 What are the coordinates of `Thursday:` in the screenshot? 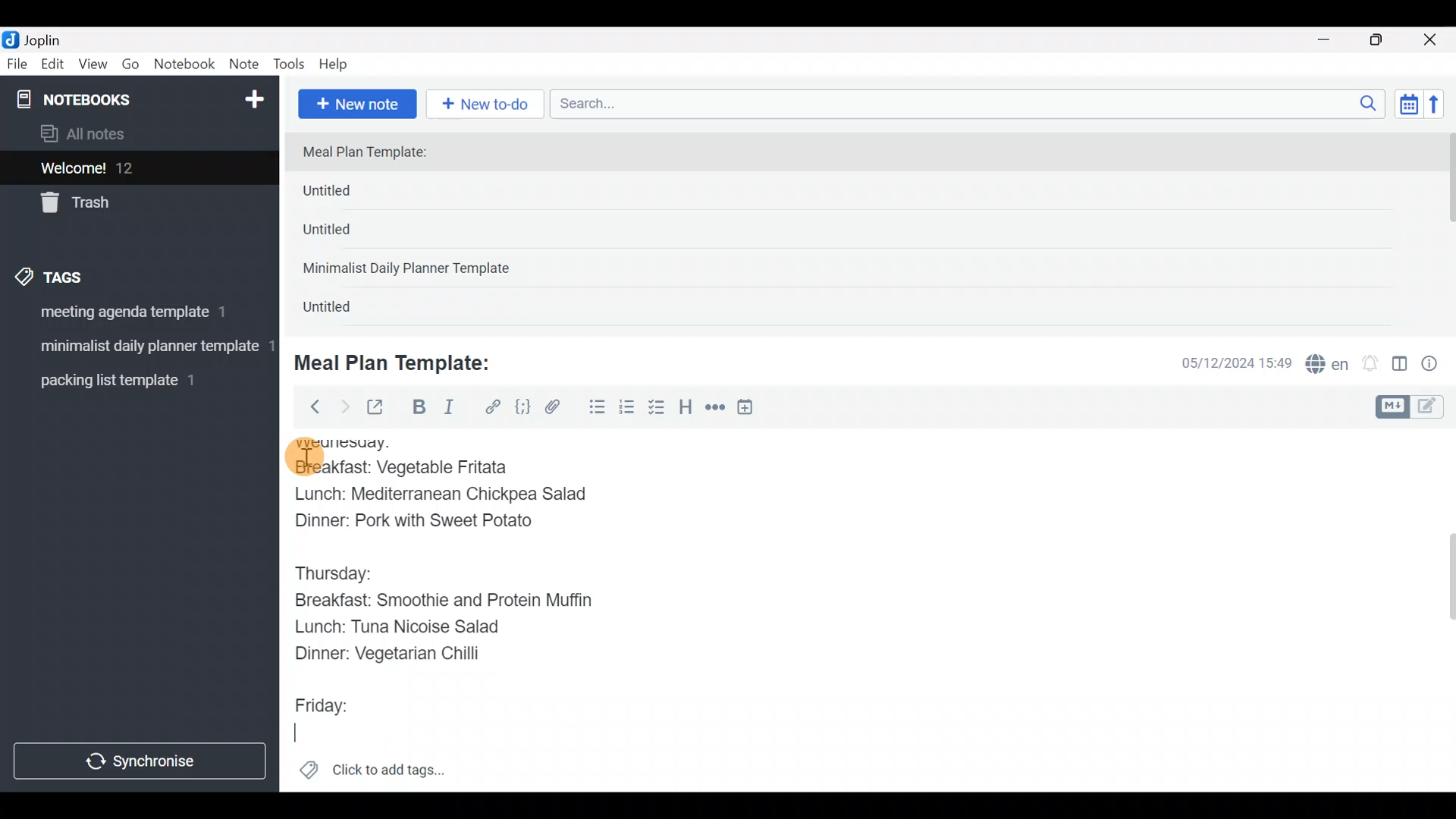 It's located at (337, 571).